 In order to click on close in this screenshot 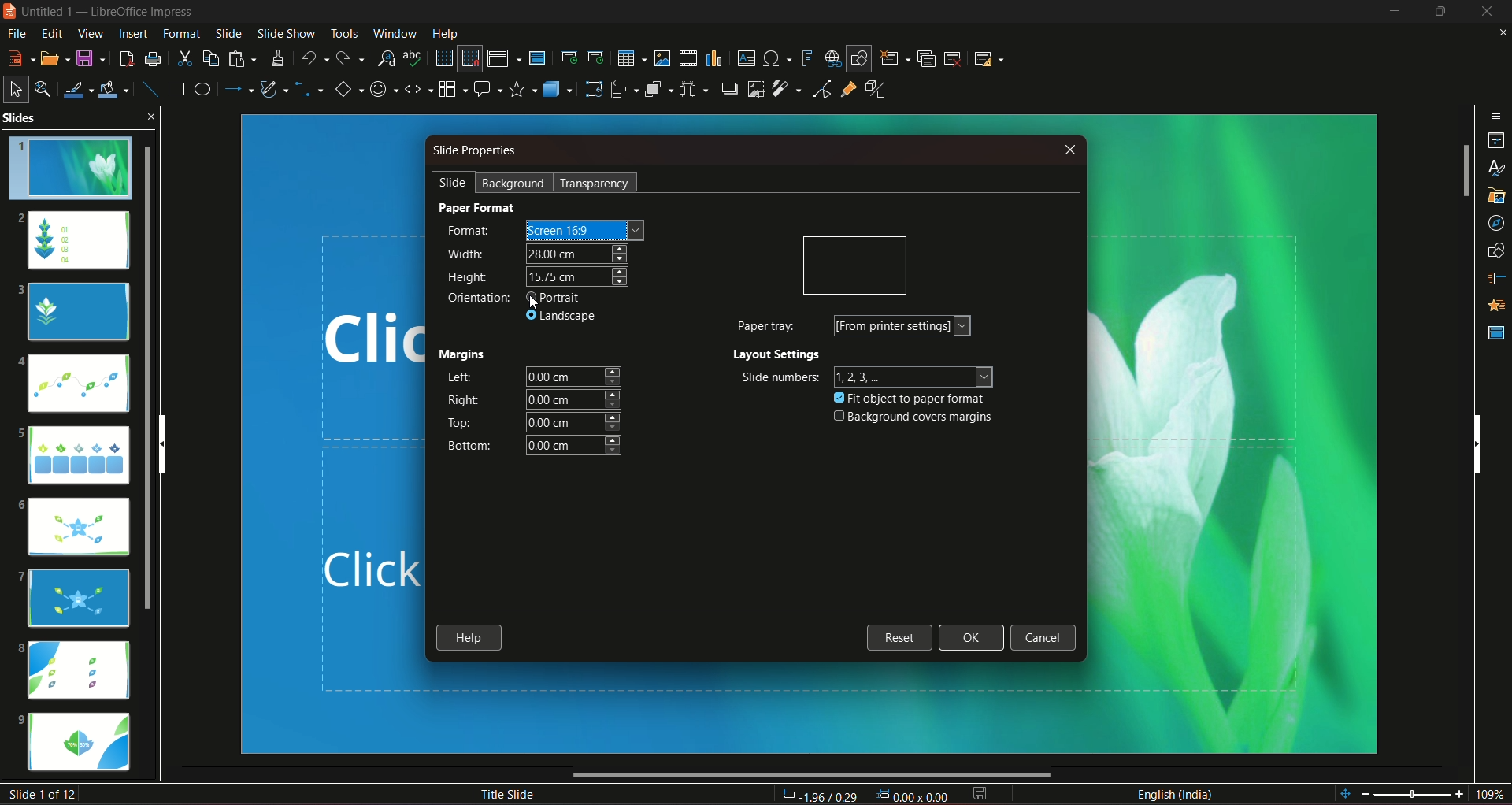, I will do `click(1499, 33)`.